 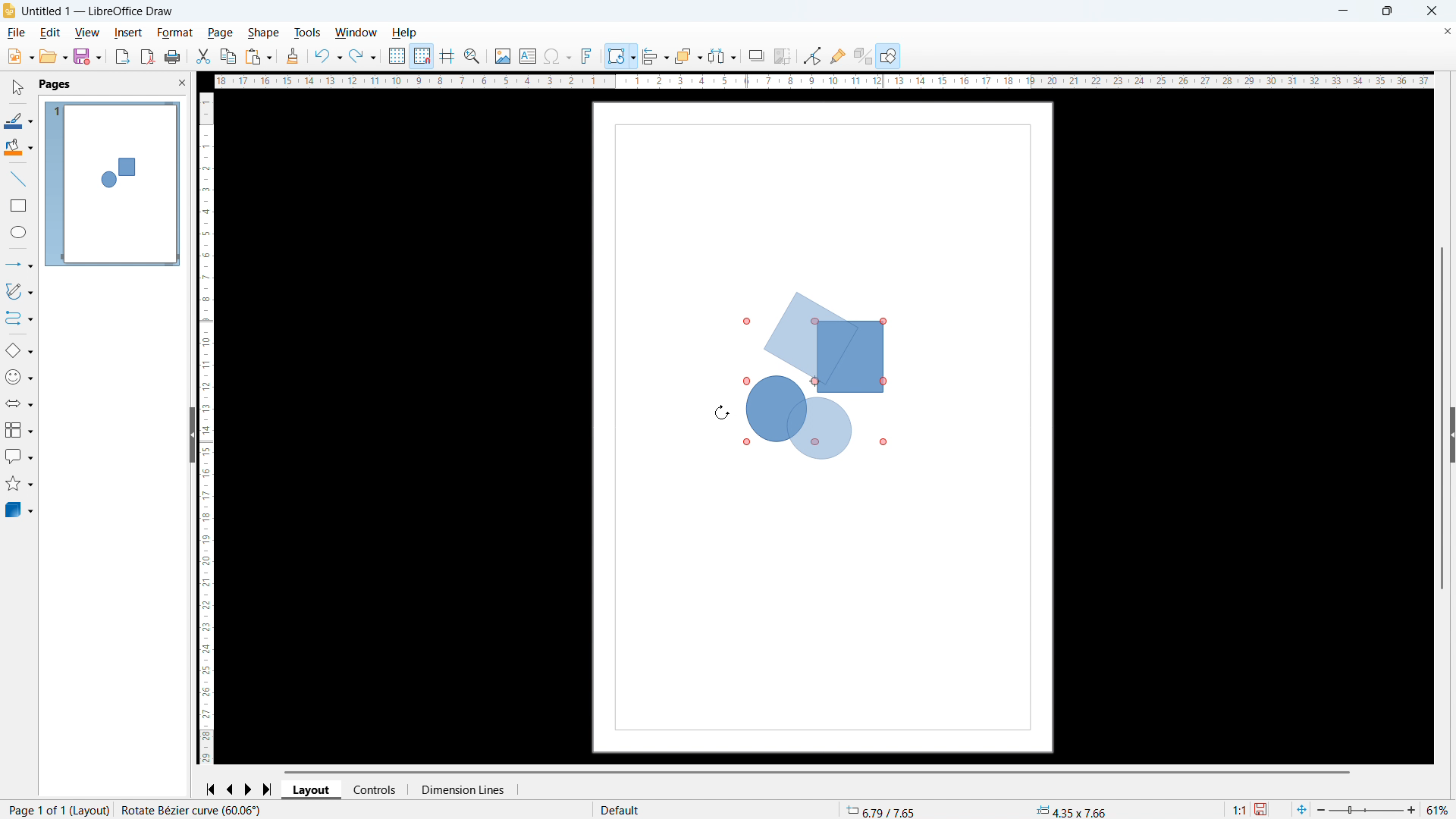 What do you see at coordinates (1342, 11) in the screenshot?
I see `minimise ` at bounding box center [1342, 11].